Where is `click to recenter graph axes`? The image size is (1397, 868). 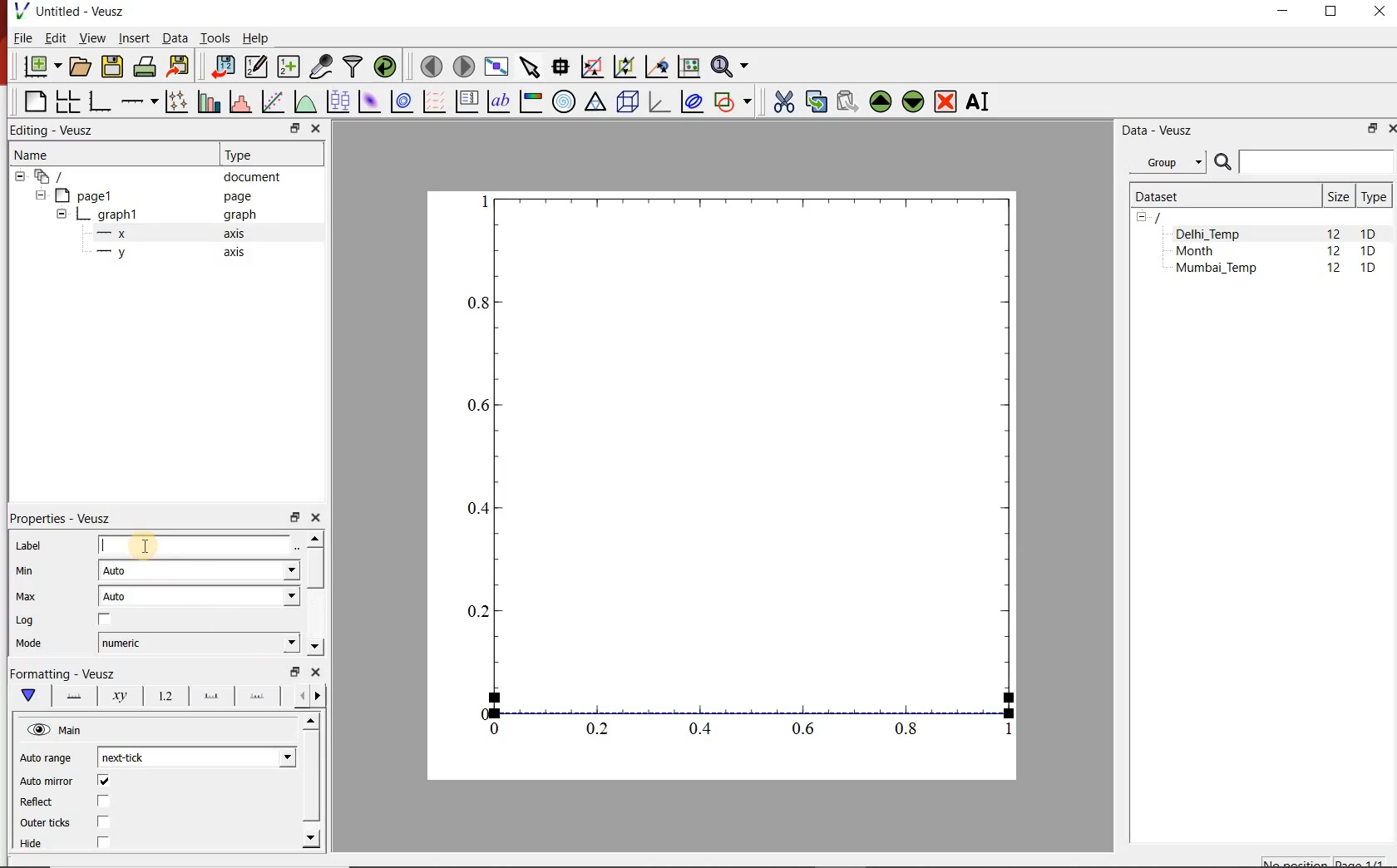
click to recenter graph axes is located at coordinates (656, 67).